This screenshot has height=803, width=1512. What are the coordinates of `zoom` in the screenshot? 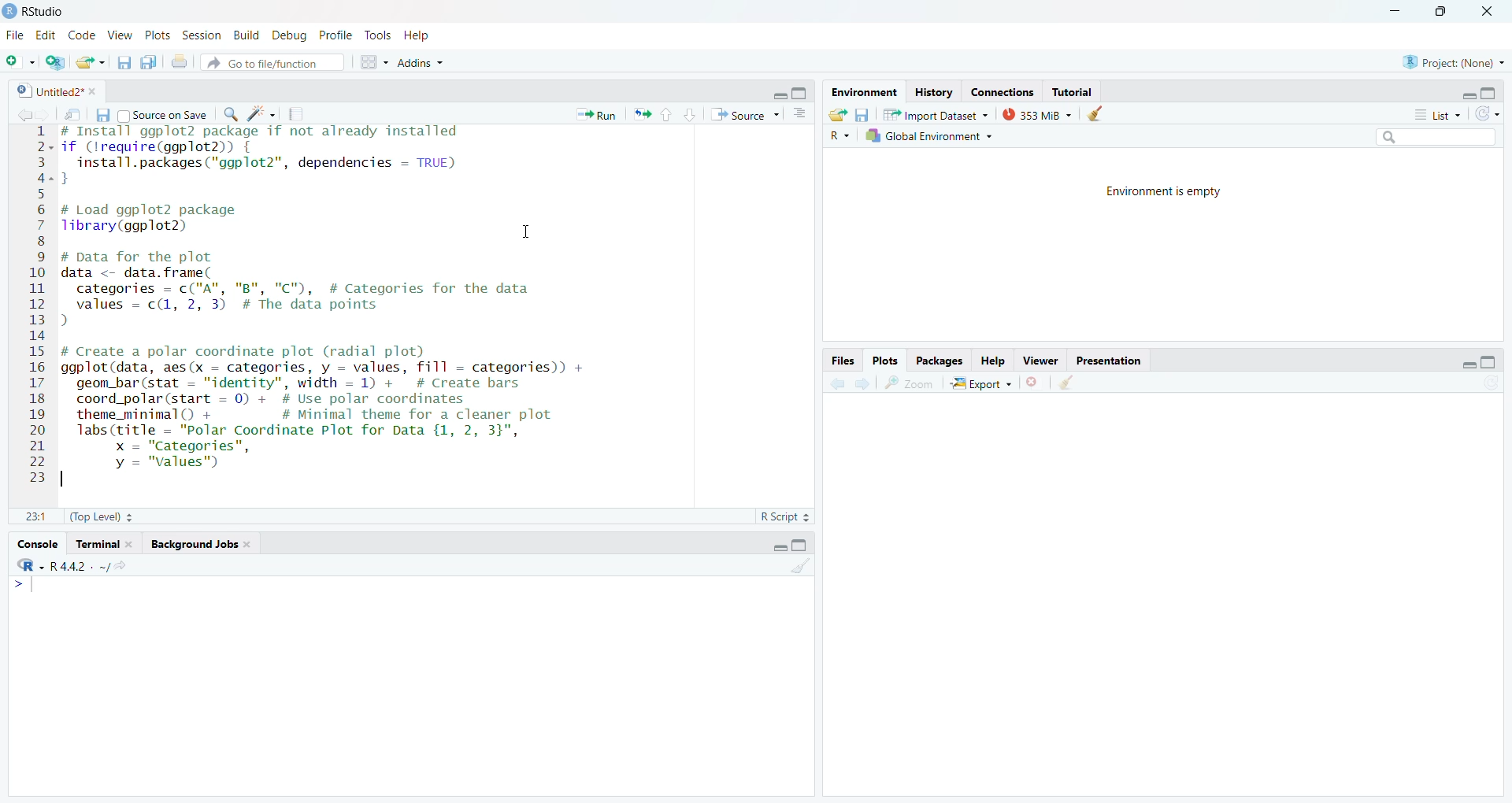 It's located at (908, 383).